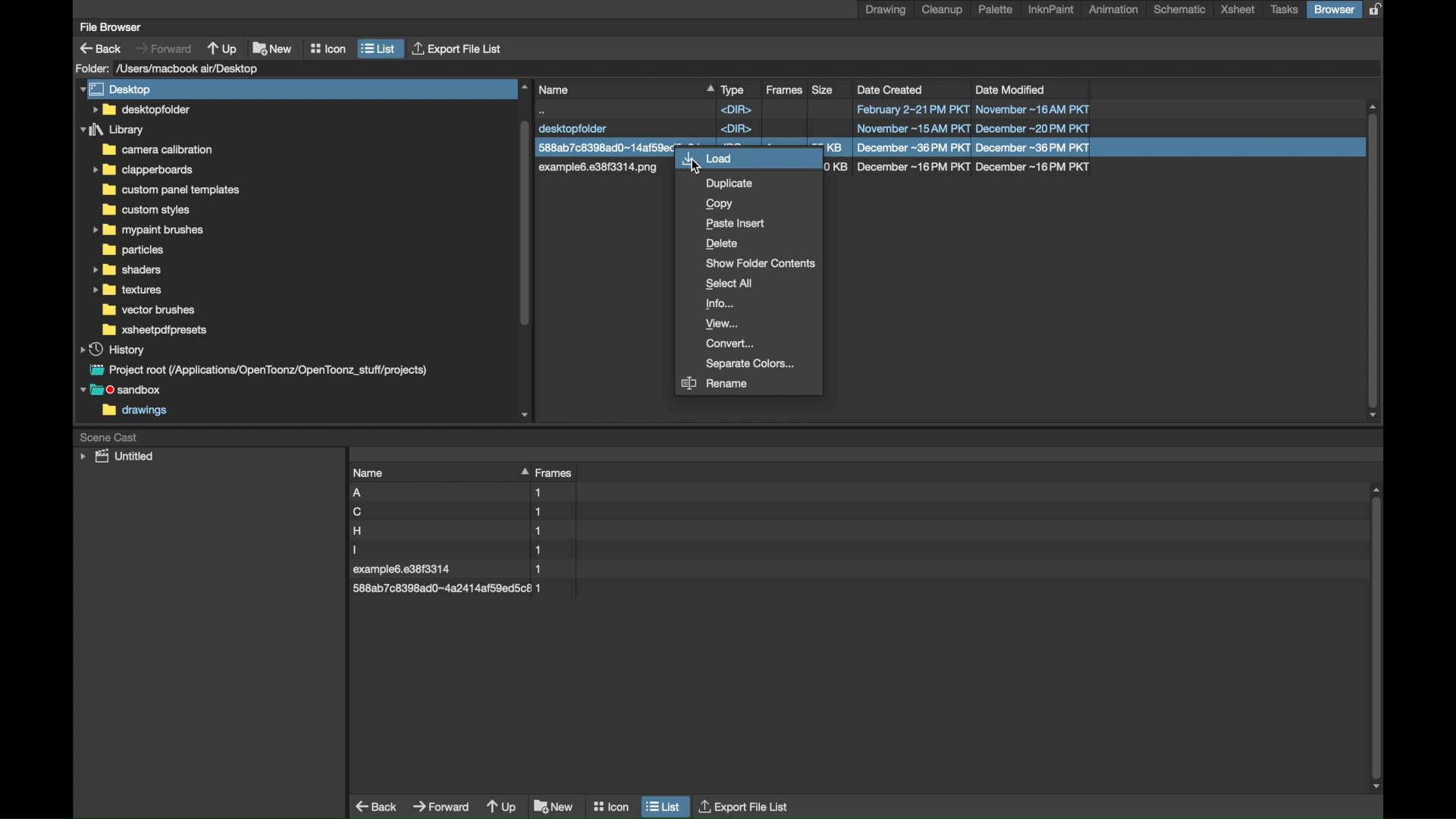 The height and width of the screenshot is (819, 1456). Describe the element at coordinates (163, 48) in the screenshot. I see `forward` at that location.